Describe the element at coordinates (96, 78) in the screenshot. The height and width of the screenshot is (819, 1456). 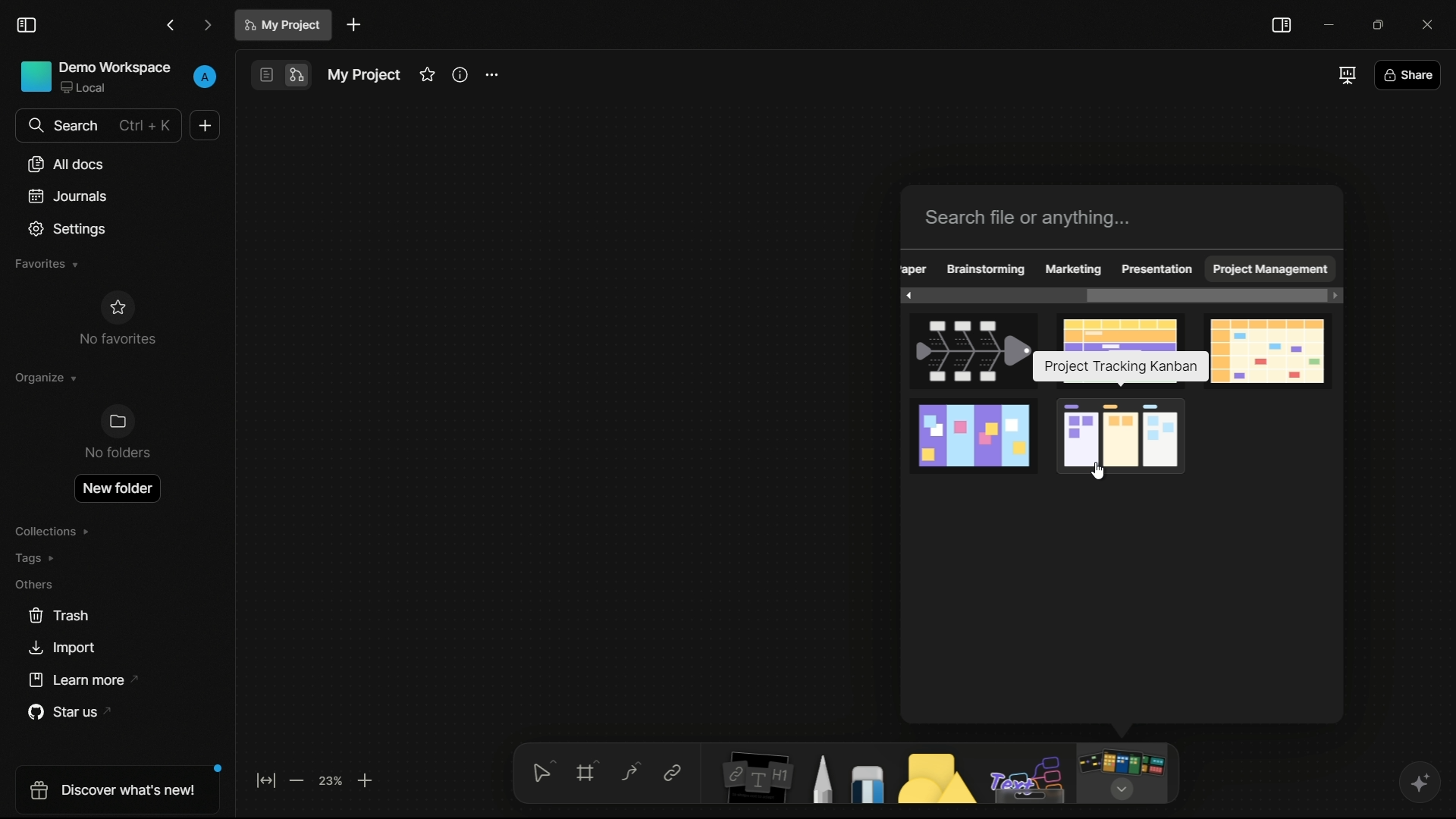
I see `demo workspace` at that location.